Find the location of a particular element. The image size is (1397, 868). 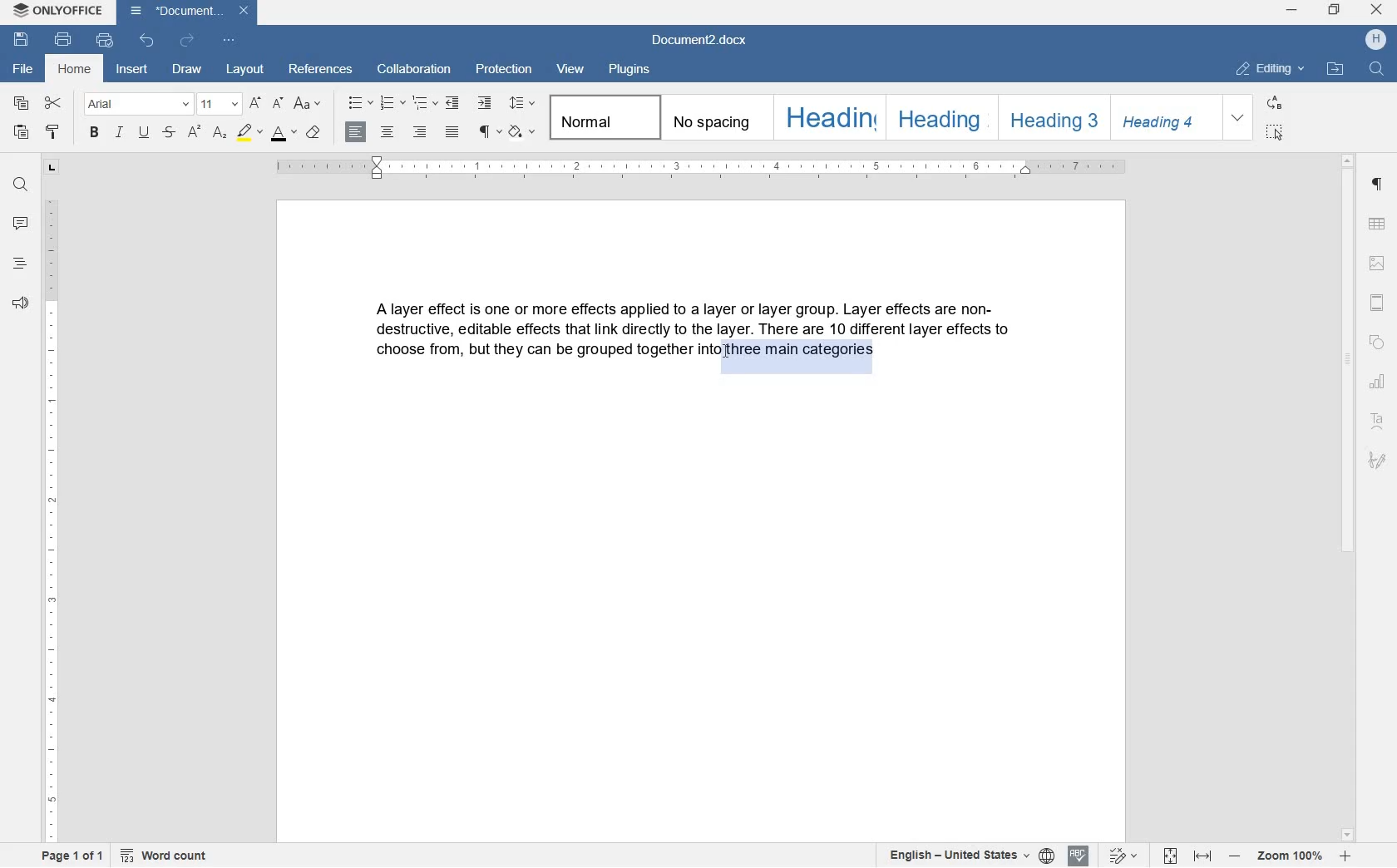

minimize is located at coordinates (1292, 11).